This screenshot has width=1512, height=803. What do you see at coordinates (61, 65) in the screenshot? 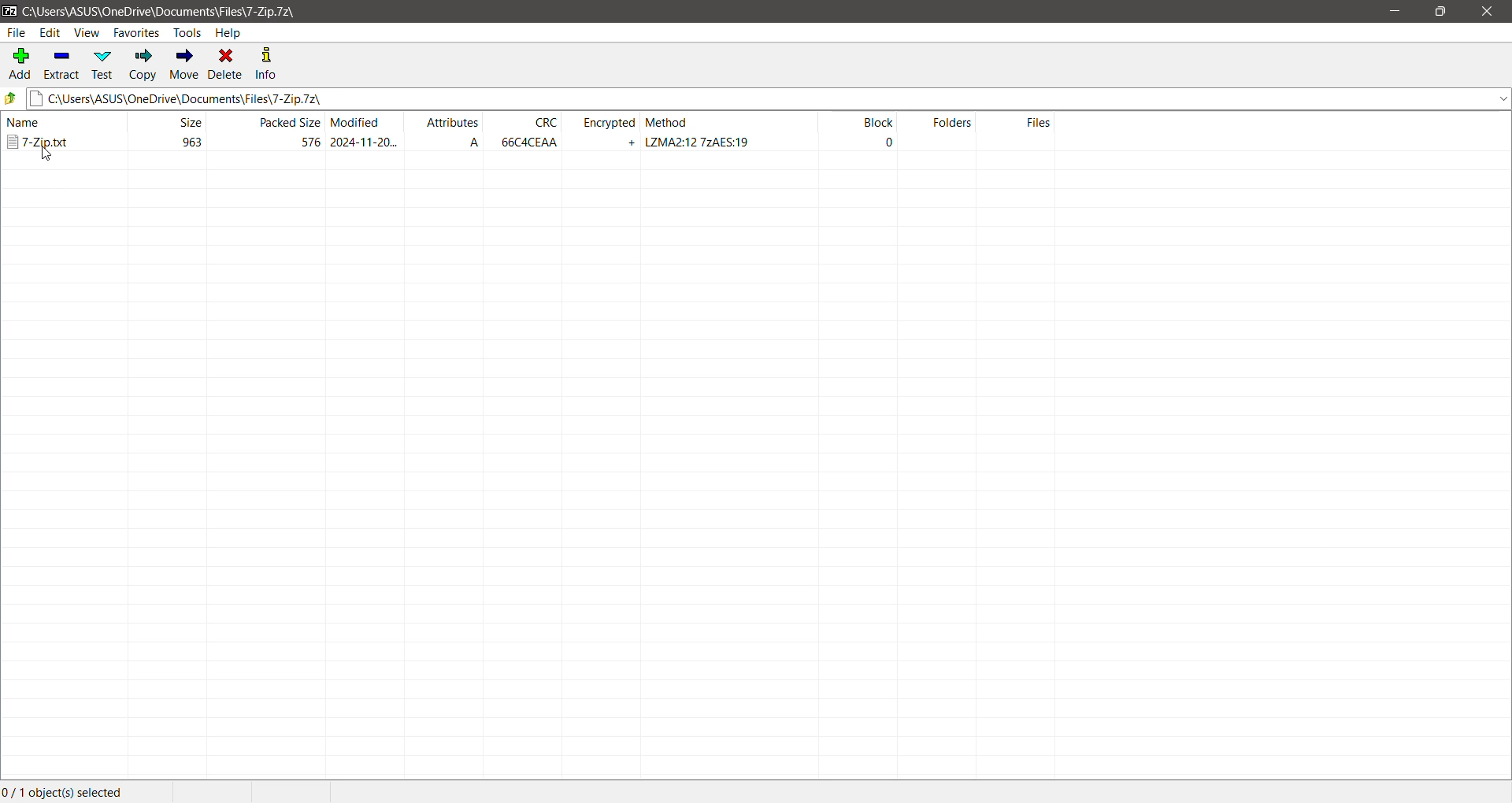
I see `Extract` at bounding box center [61, 65].